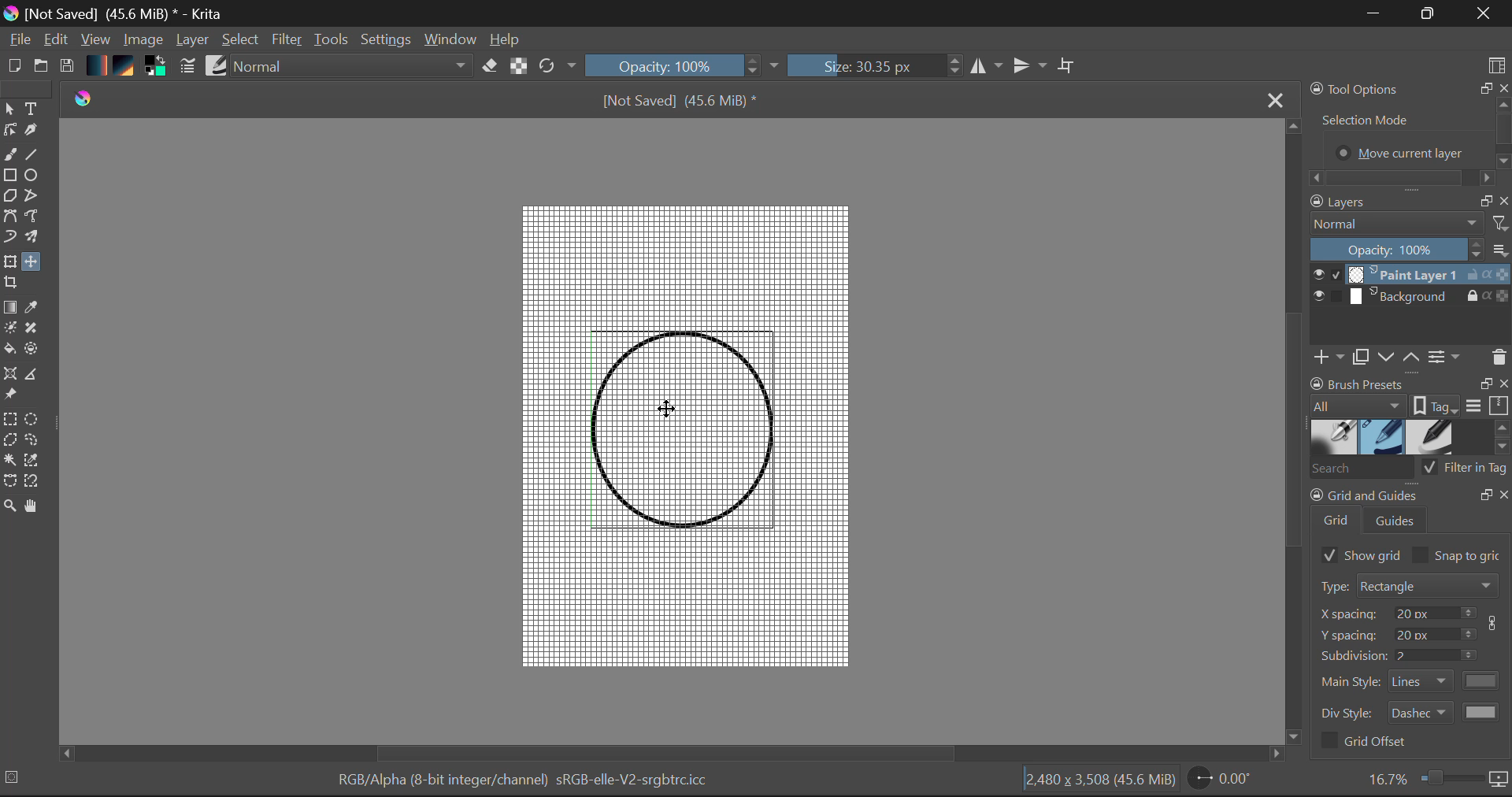 The image size is (1512, 797). Describe the element at coordinates (1101, 783) in the screenshot. I see `Document Dimensions` at that location.